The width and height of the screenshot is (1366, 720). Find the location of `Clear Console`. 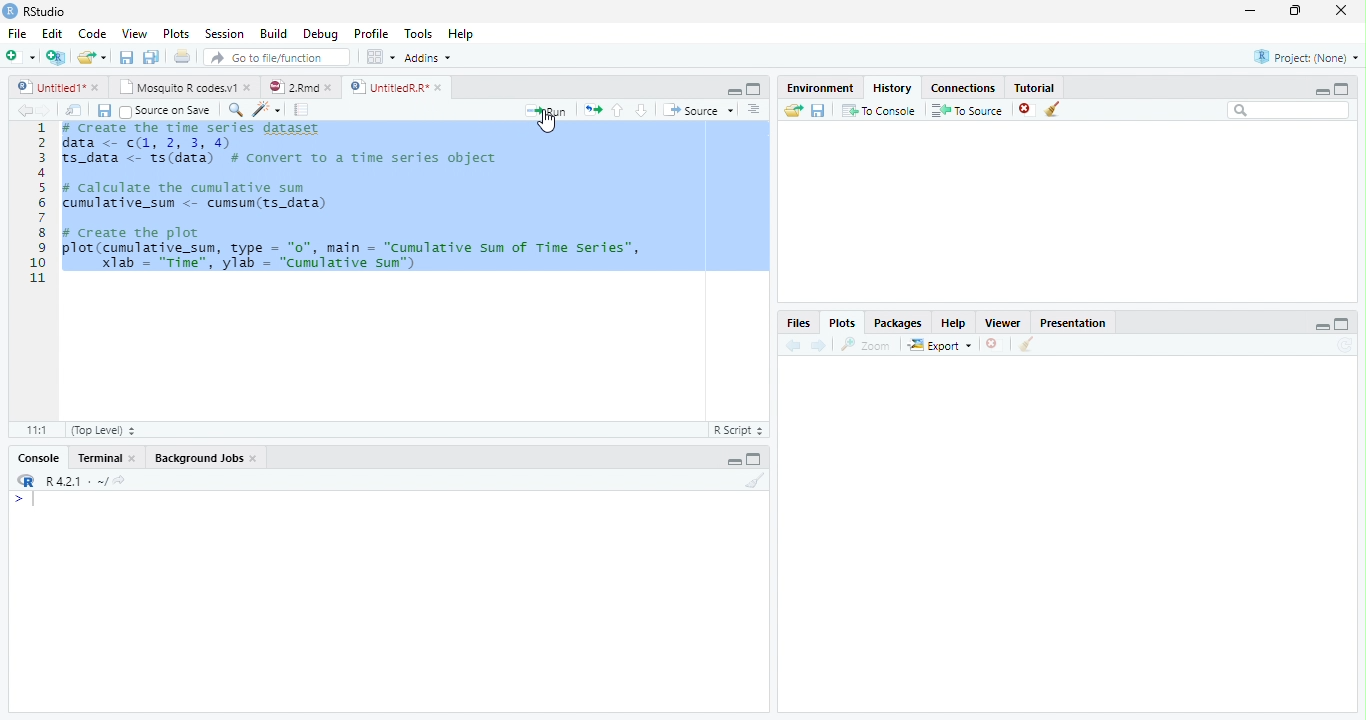

Clear Console is located at coordinates (753, 484).